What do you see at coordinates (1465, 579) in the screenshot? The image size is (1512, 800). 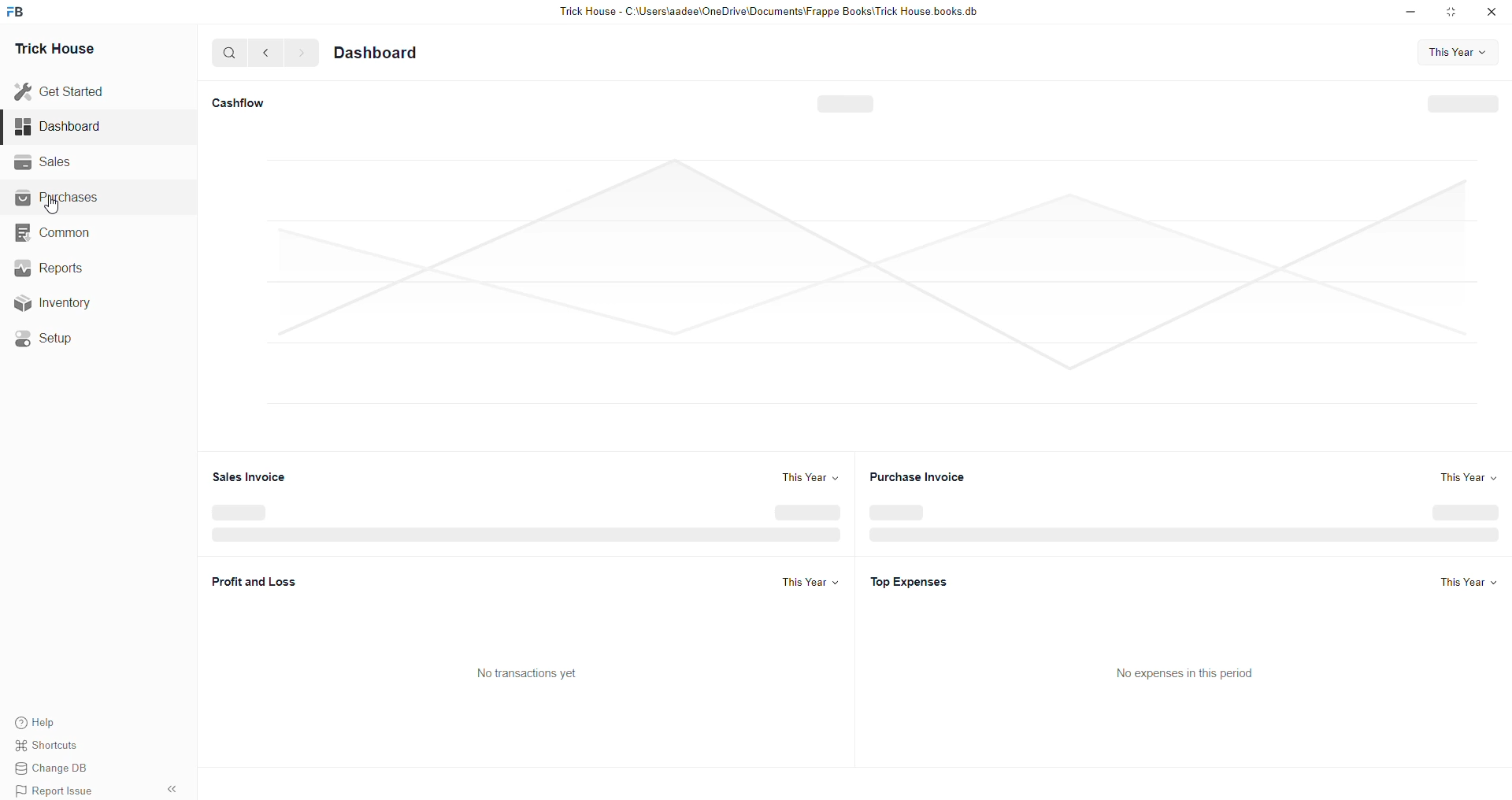 I see `this year` at bounding box center [1465, 579].